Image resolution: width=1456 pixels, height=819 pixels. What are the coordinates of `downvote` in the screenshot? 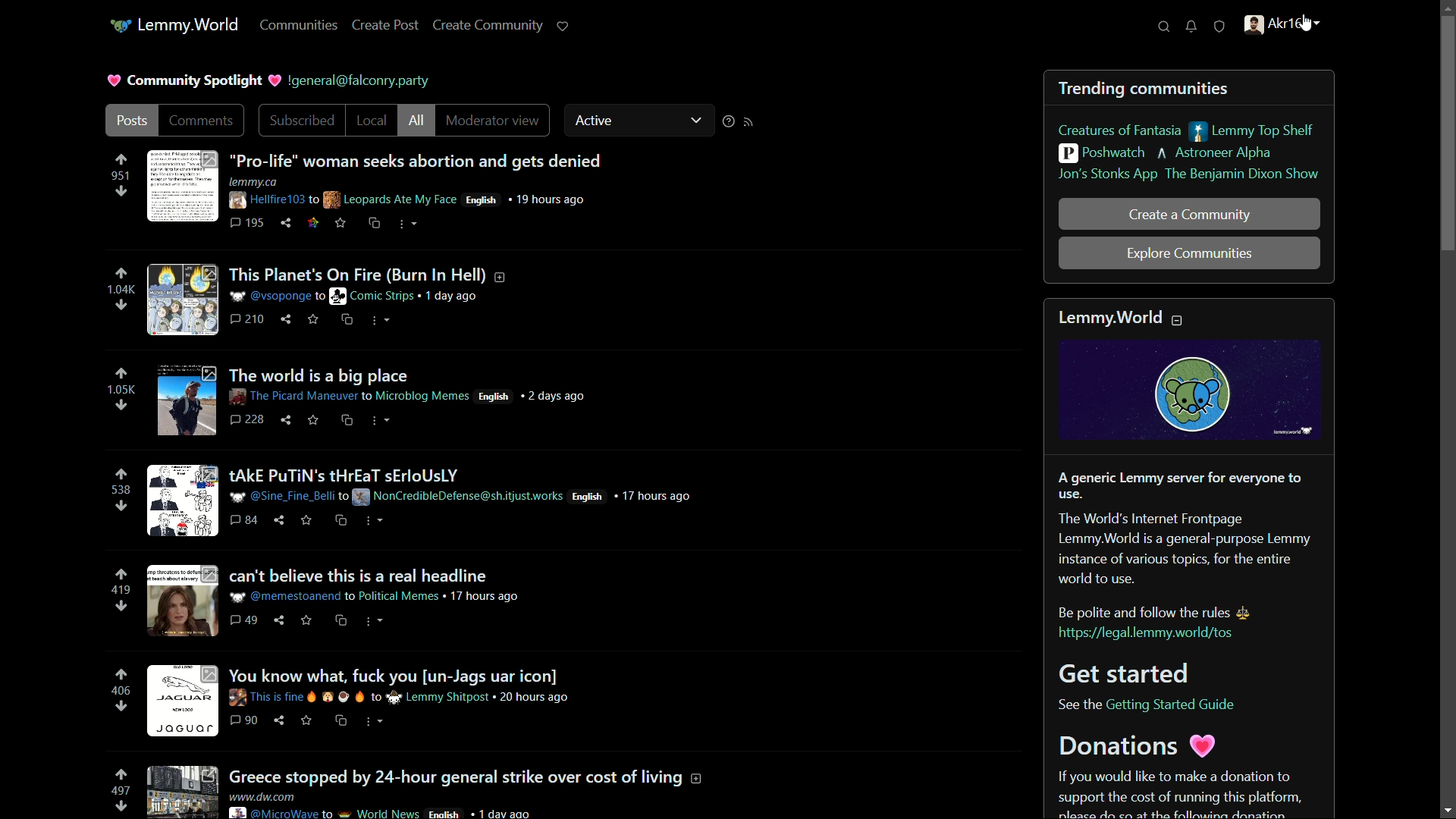 It's located at (124, 507).